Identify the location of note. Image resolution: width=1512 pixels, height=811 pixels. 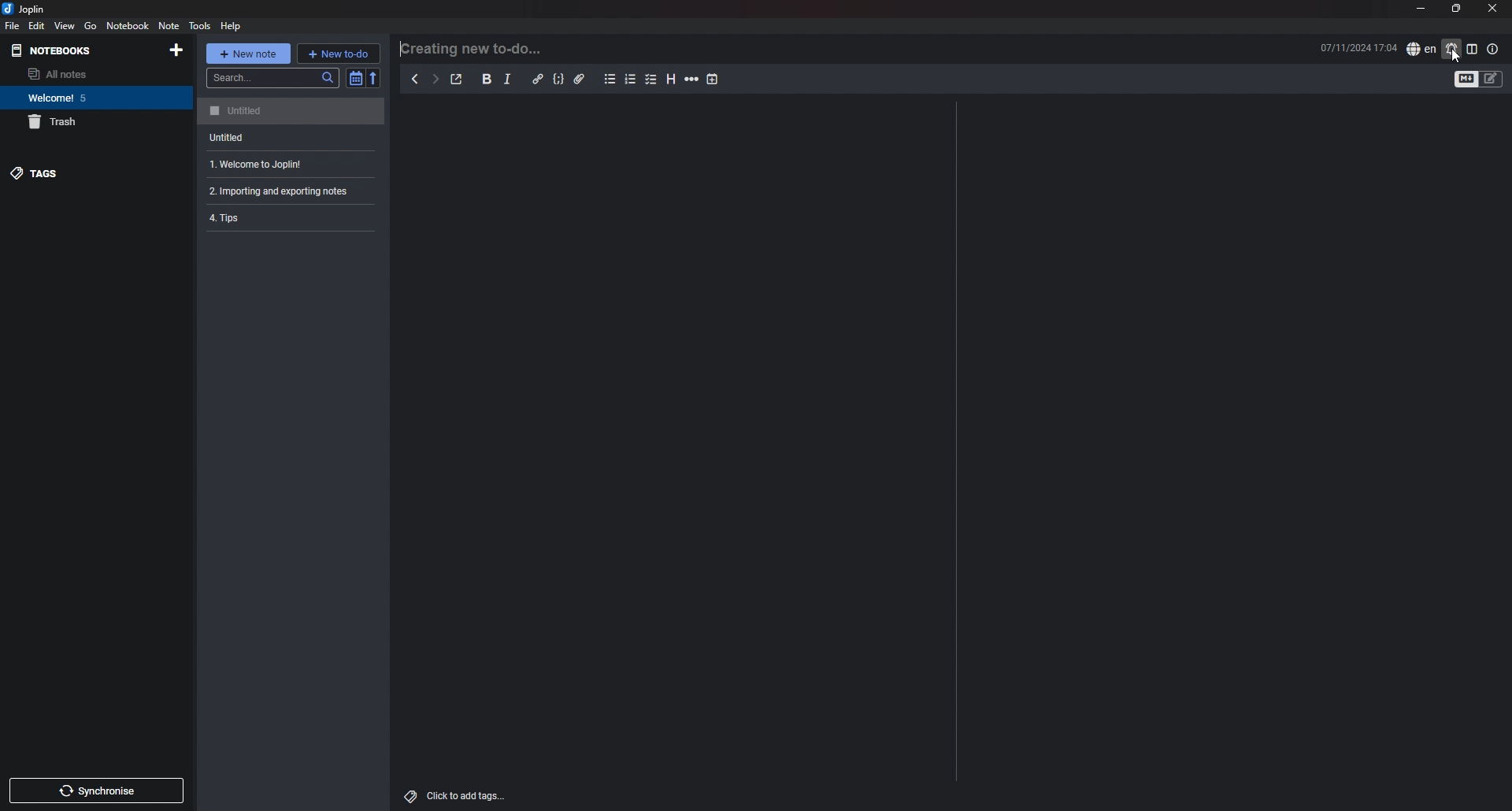
(292, 164).